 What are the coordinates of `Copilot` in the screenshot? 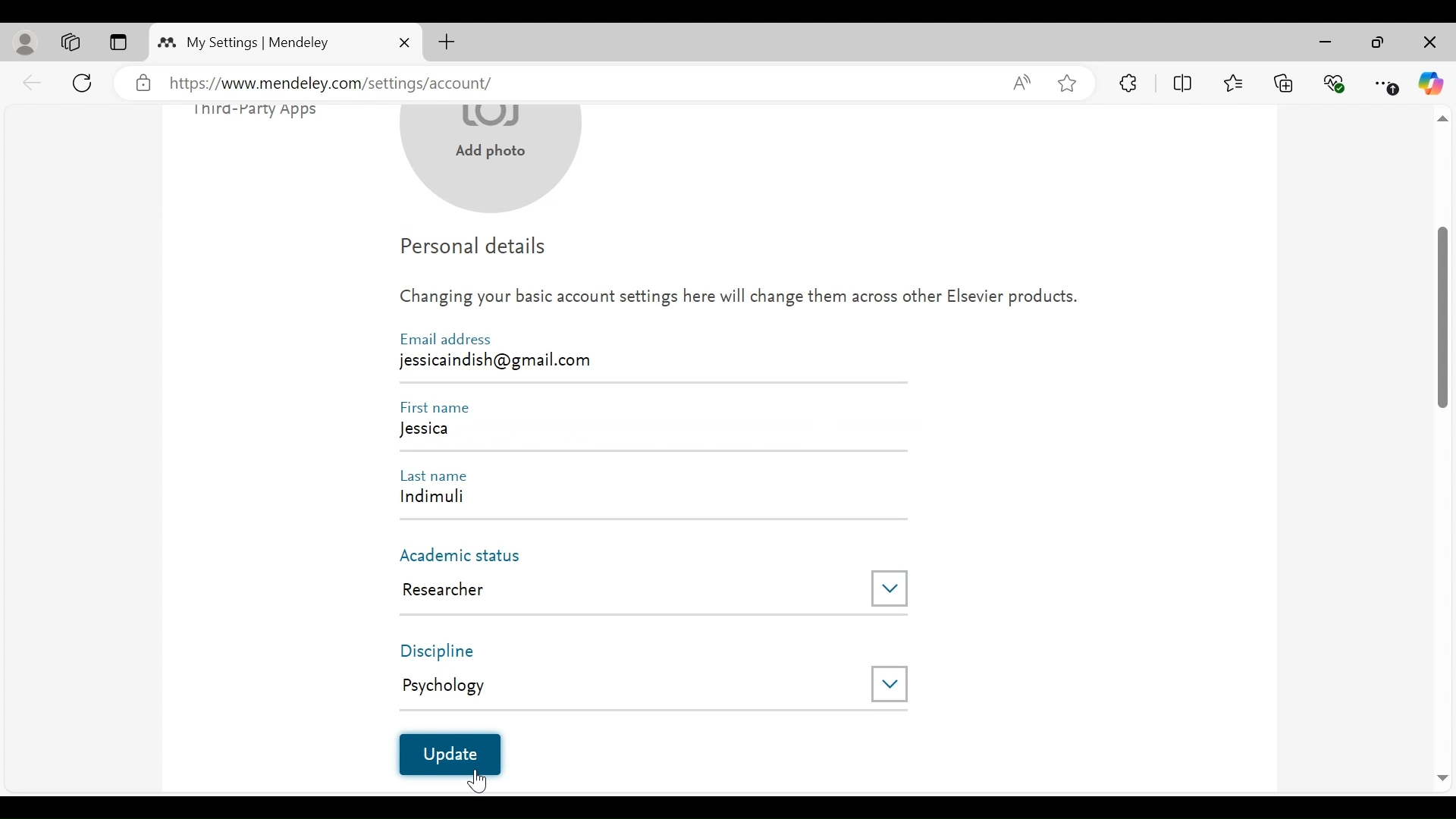 It's located at (1431, 83).